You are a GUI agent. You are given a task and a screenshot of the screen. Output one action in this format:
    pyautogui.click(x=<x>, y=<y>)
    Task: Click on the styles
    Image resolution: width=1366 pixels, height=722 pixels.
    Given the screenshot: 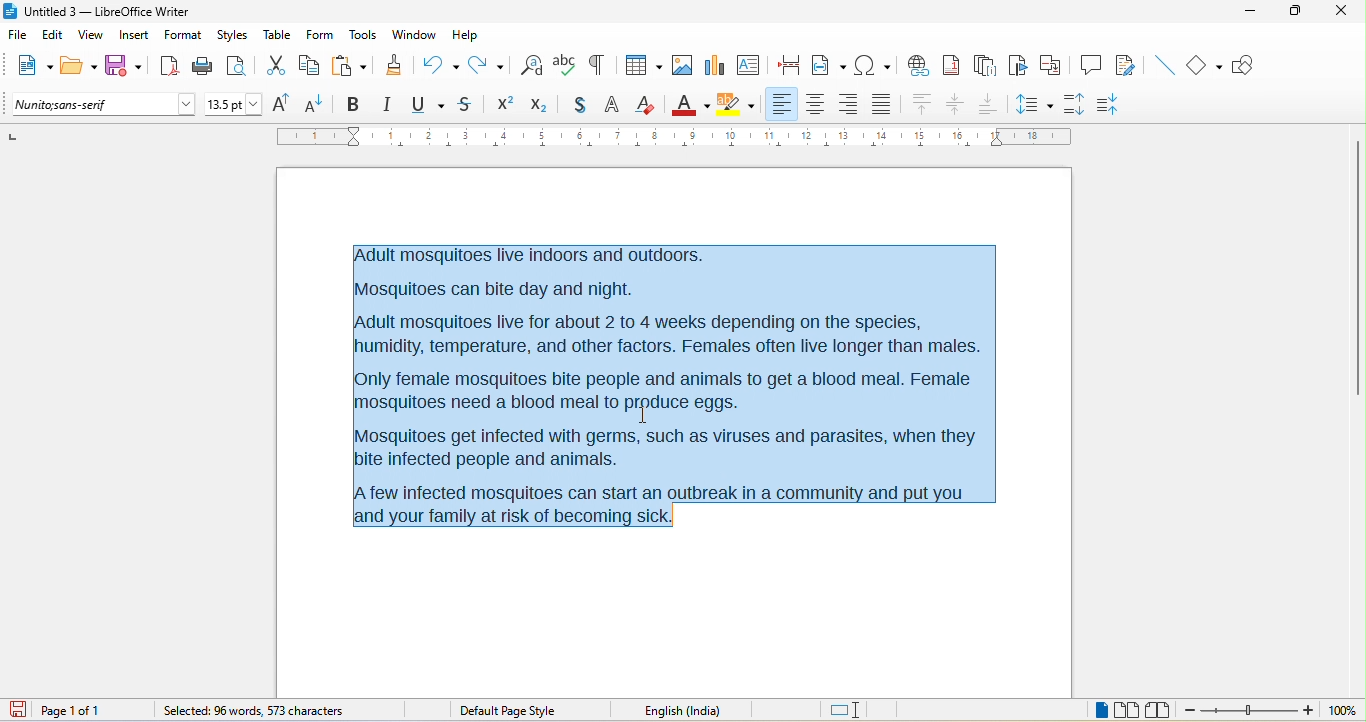 What is the action you would take?
    pyautogui.click(x=232, y=35)
    